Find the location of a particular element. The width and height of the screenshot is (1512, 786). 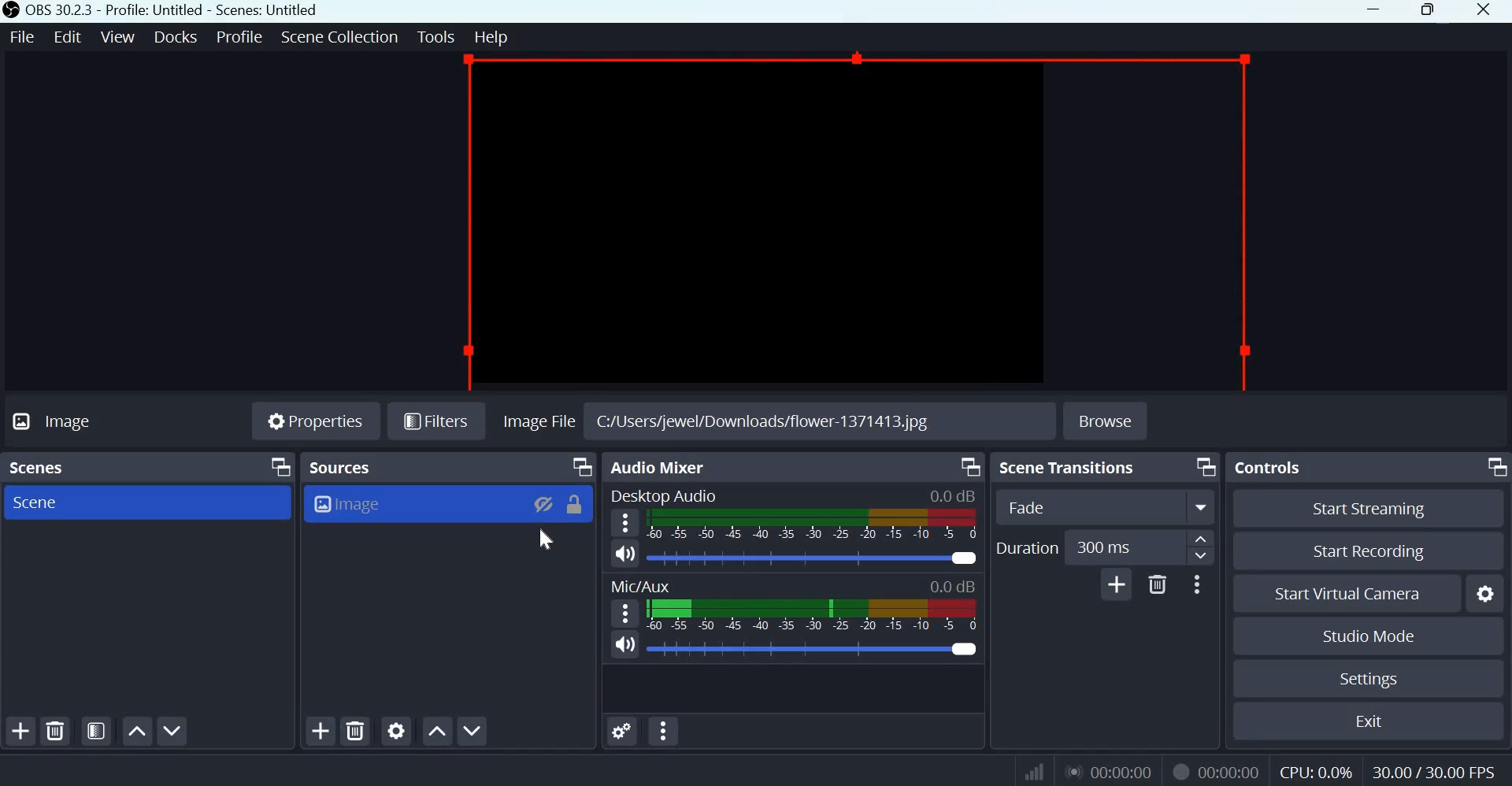

Frame Rate (FPS) is located at coordinates (1436, 772).